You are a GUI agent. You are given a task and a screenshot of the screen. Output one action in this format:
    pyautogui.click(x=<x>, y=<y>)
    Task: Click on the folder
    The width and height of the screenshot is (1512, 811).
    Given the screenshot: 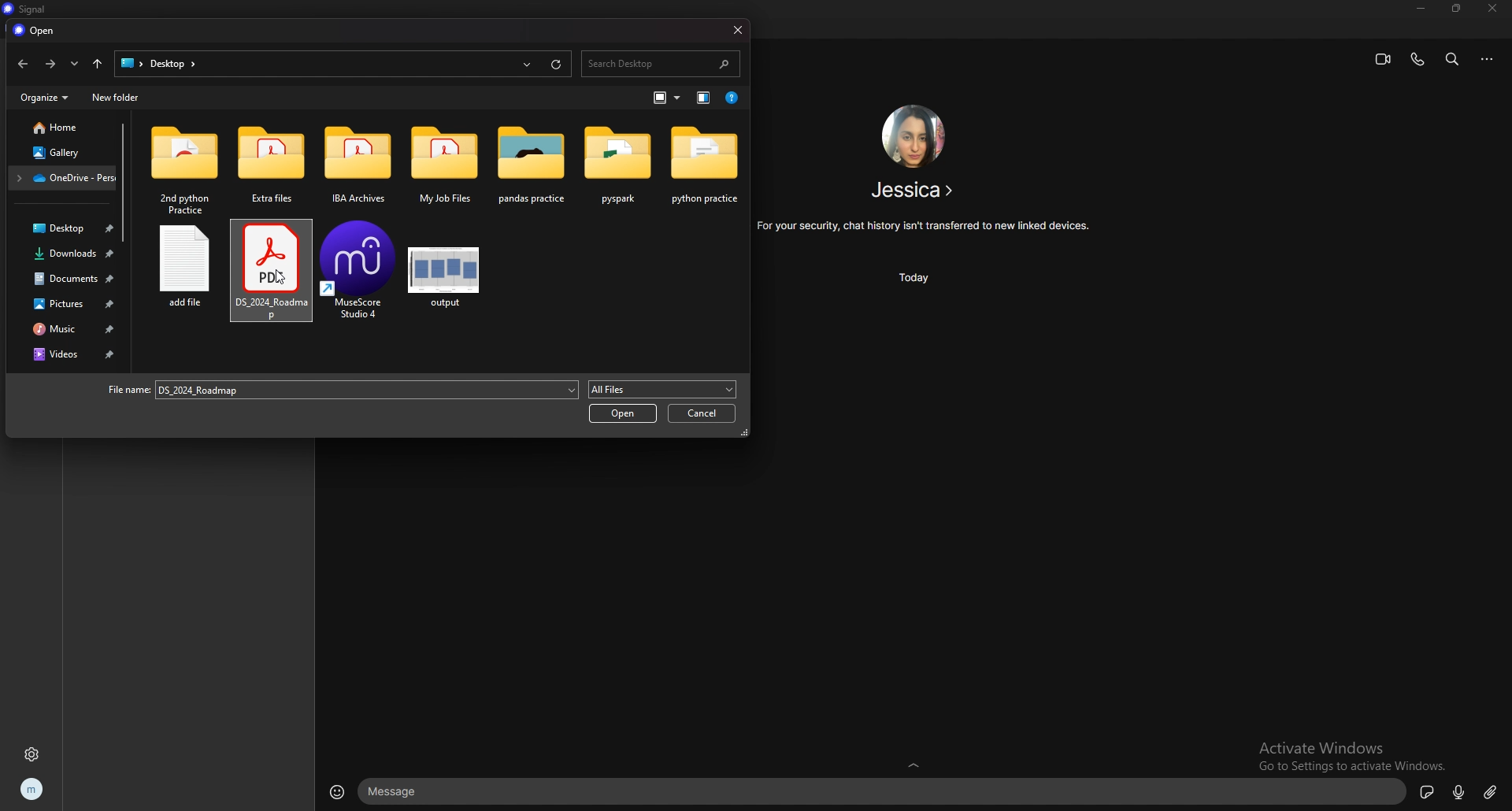 What is the action you would take?
    pyautogui.click(x=705, y=167)
    